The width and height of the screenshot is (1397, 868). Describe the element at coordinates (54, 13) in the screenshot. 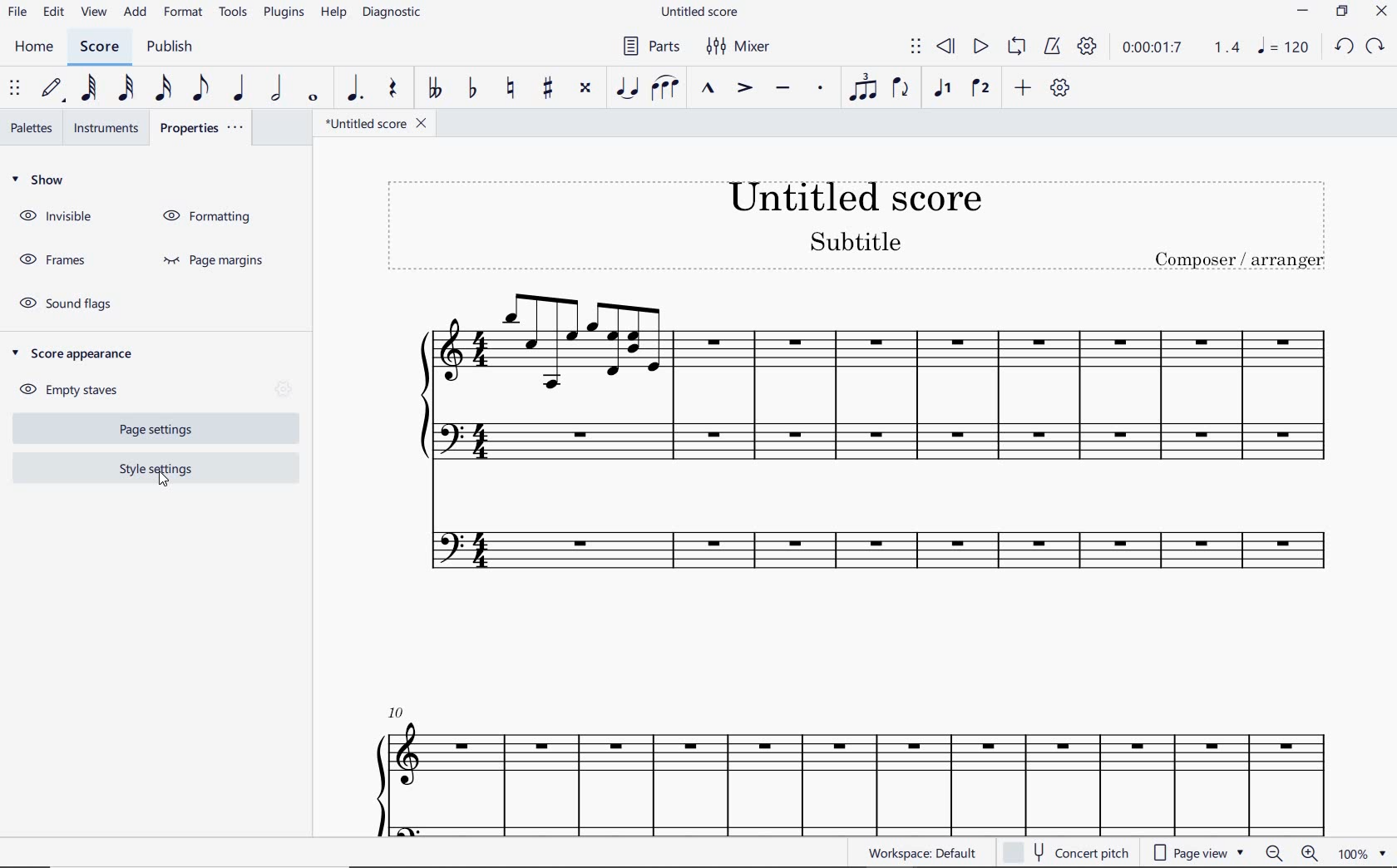

I see `EDIT` at that location.